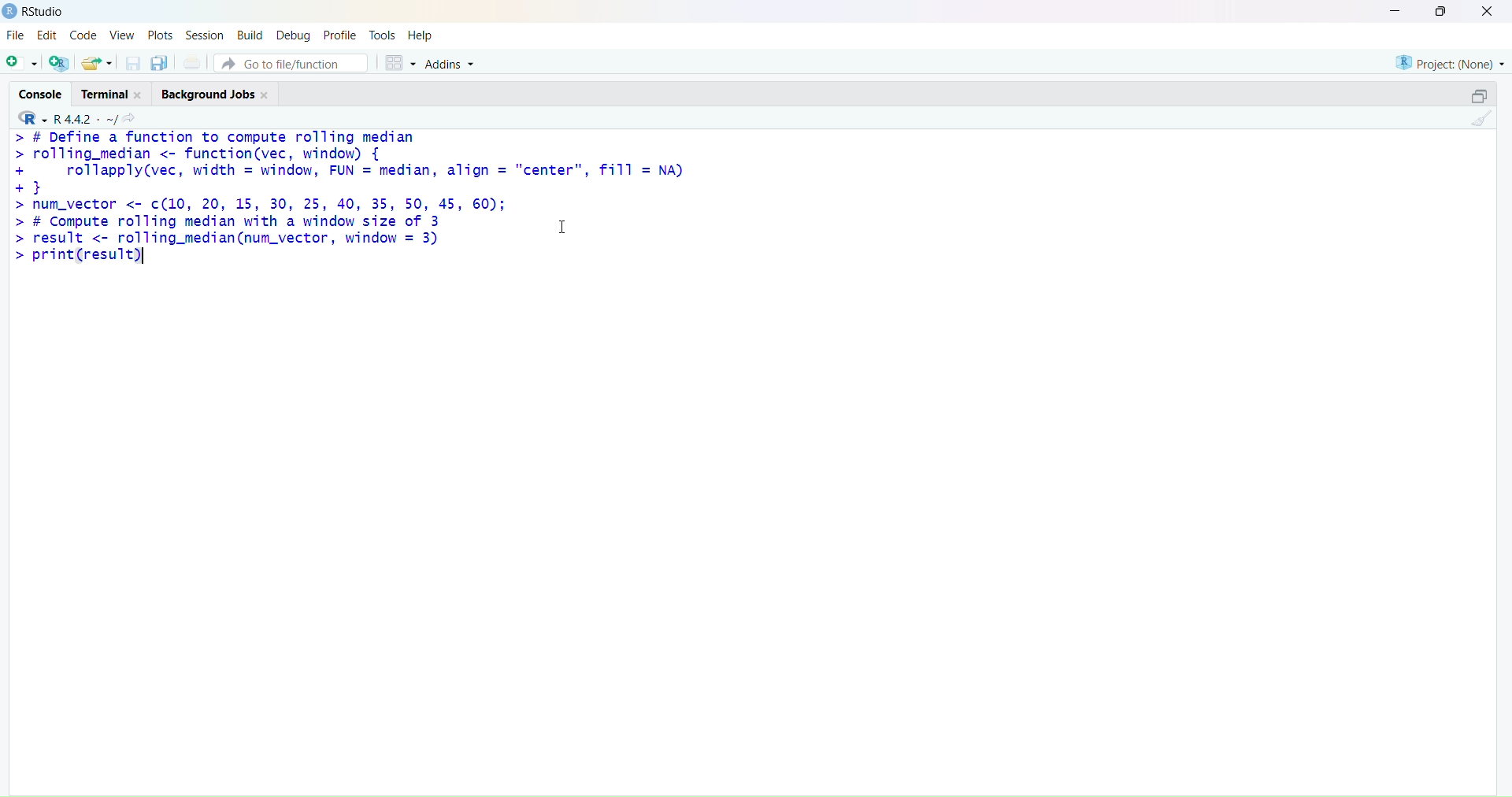 Image resolution: width=1512 pixels, height=797 pixels. I want to click on R, so click(33, 117).